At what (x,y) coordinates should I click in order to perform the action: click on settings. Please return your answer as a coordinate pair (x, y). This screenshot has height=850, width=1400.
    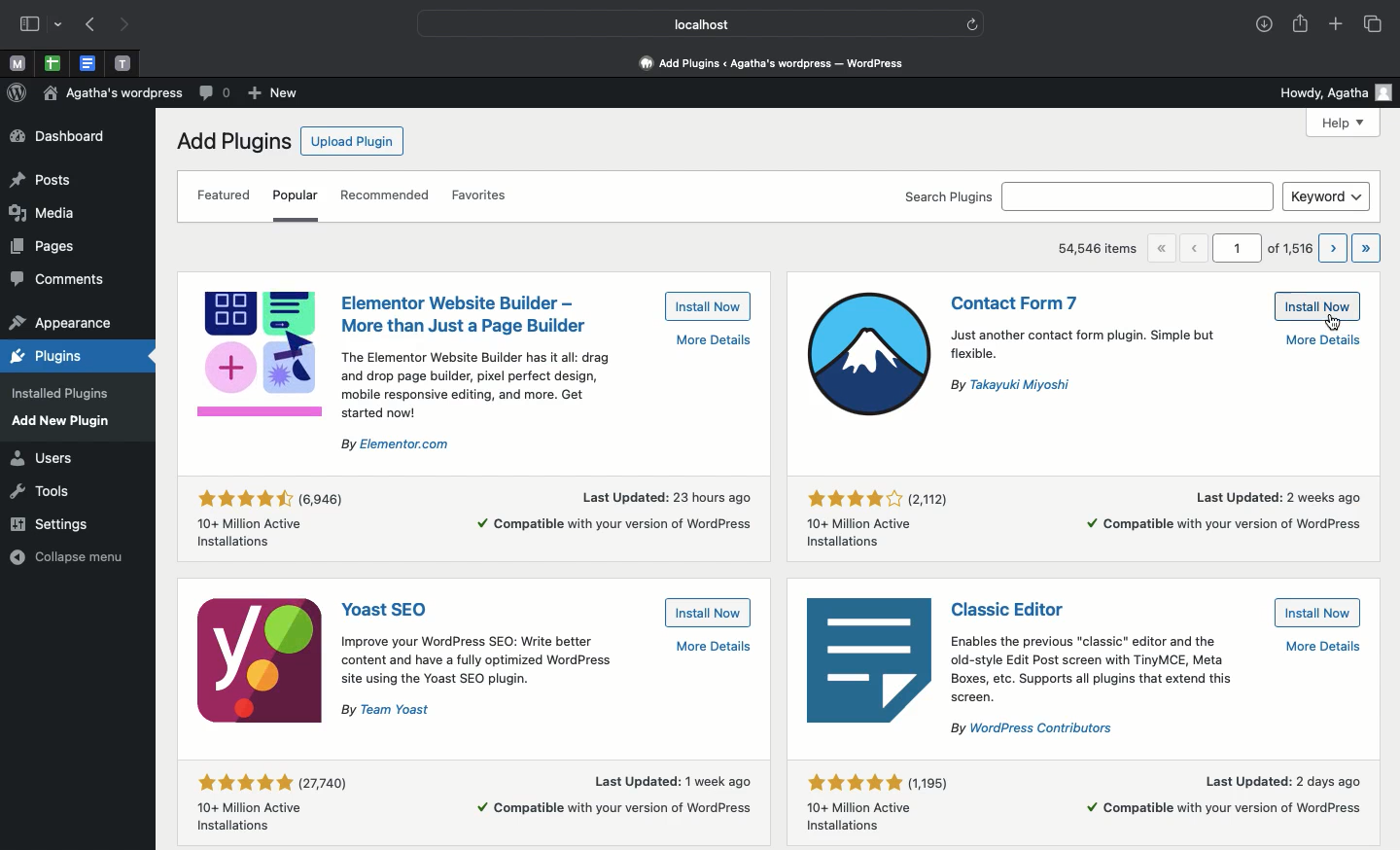
    Looking at the image, I should click on (50, 523).